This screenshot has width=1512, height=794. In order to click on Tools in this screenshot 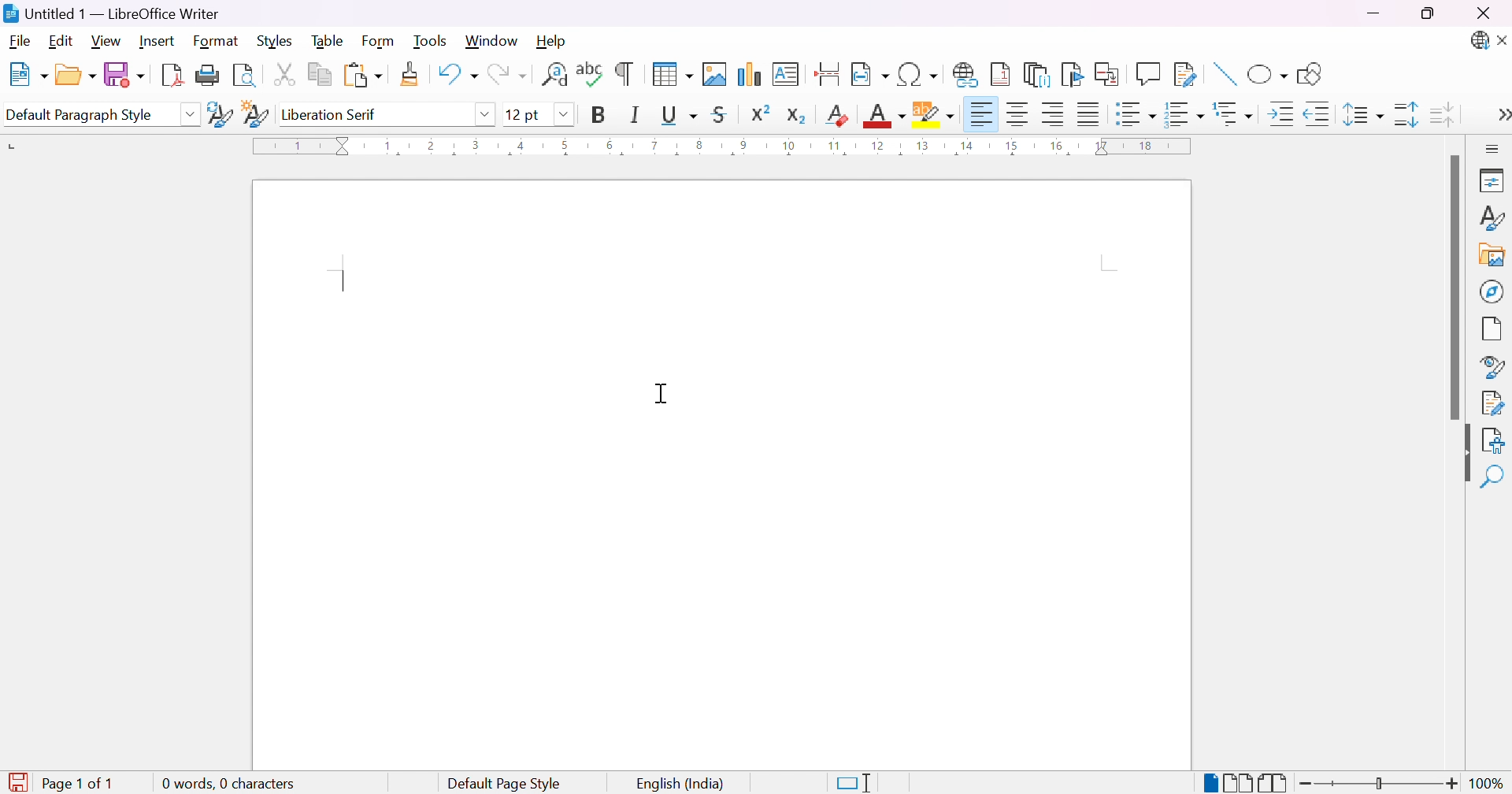, I will do `click(433, 42)`.